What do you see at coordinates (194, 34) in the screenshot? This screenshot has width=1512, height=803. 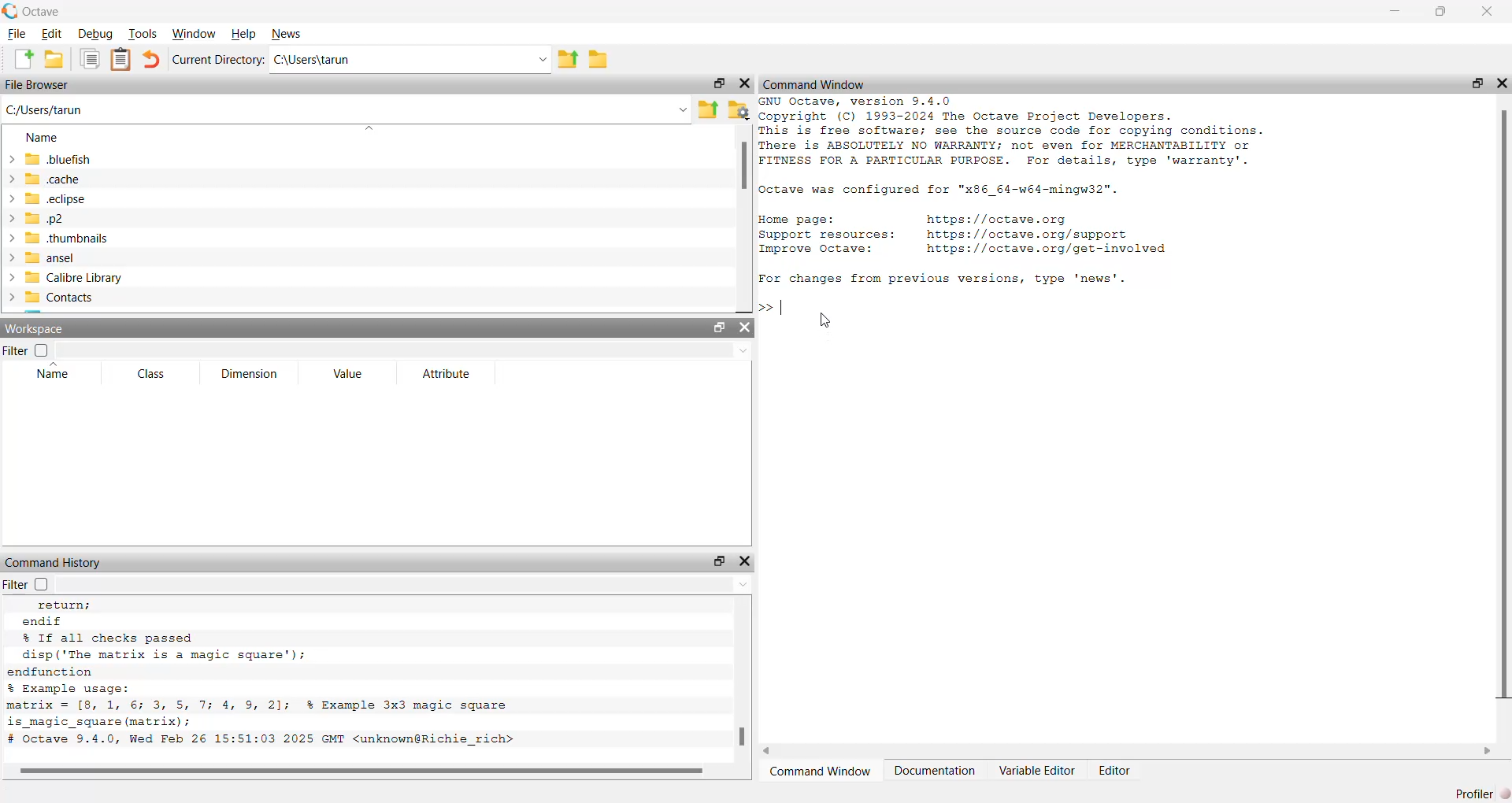 I see `Window` at bounding box center [194, 34].